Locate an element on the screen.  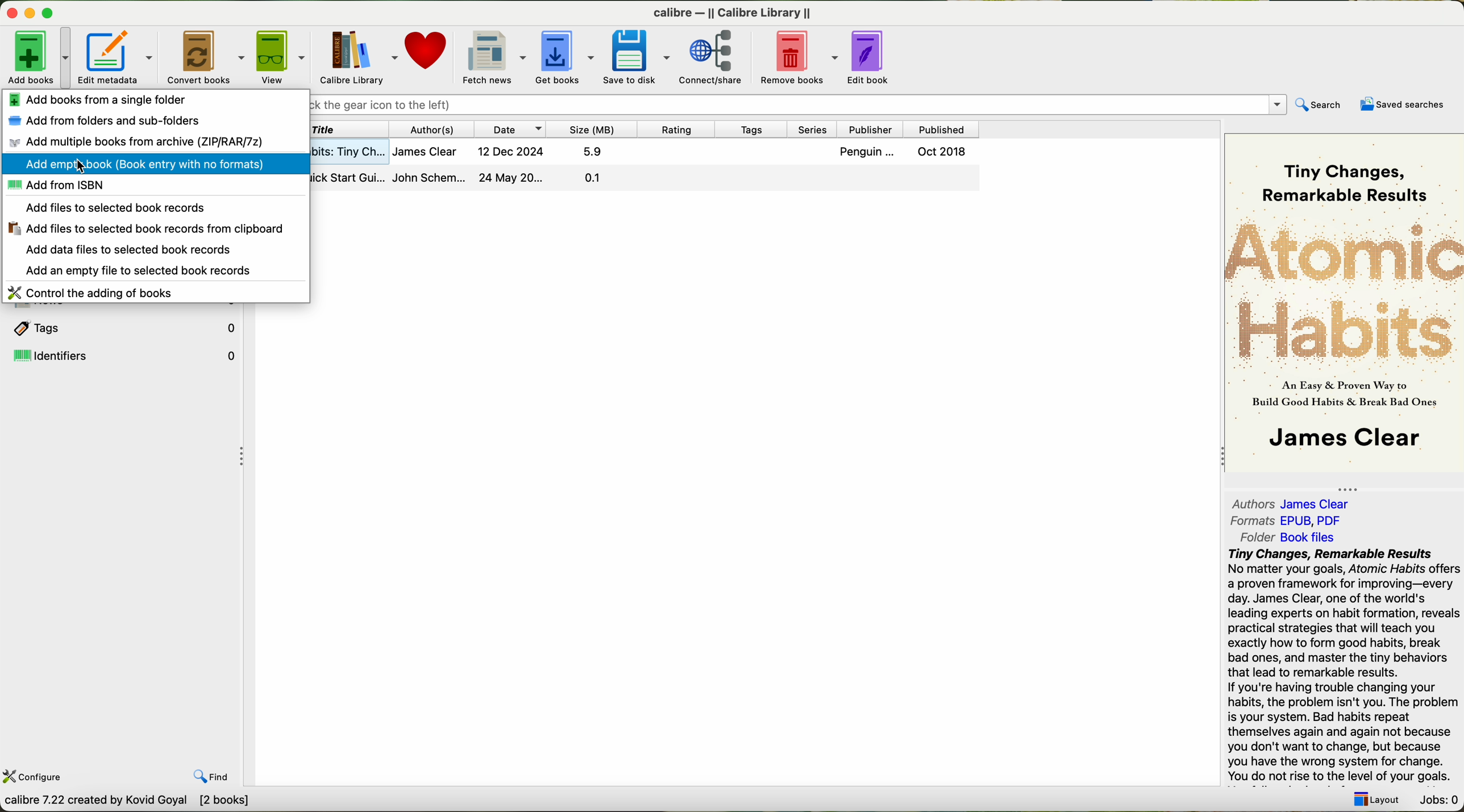
save to disk is located at coordinates (637, 59).